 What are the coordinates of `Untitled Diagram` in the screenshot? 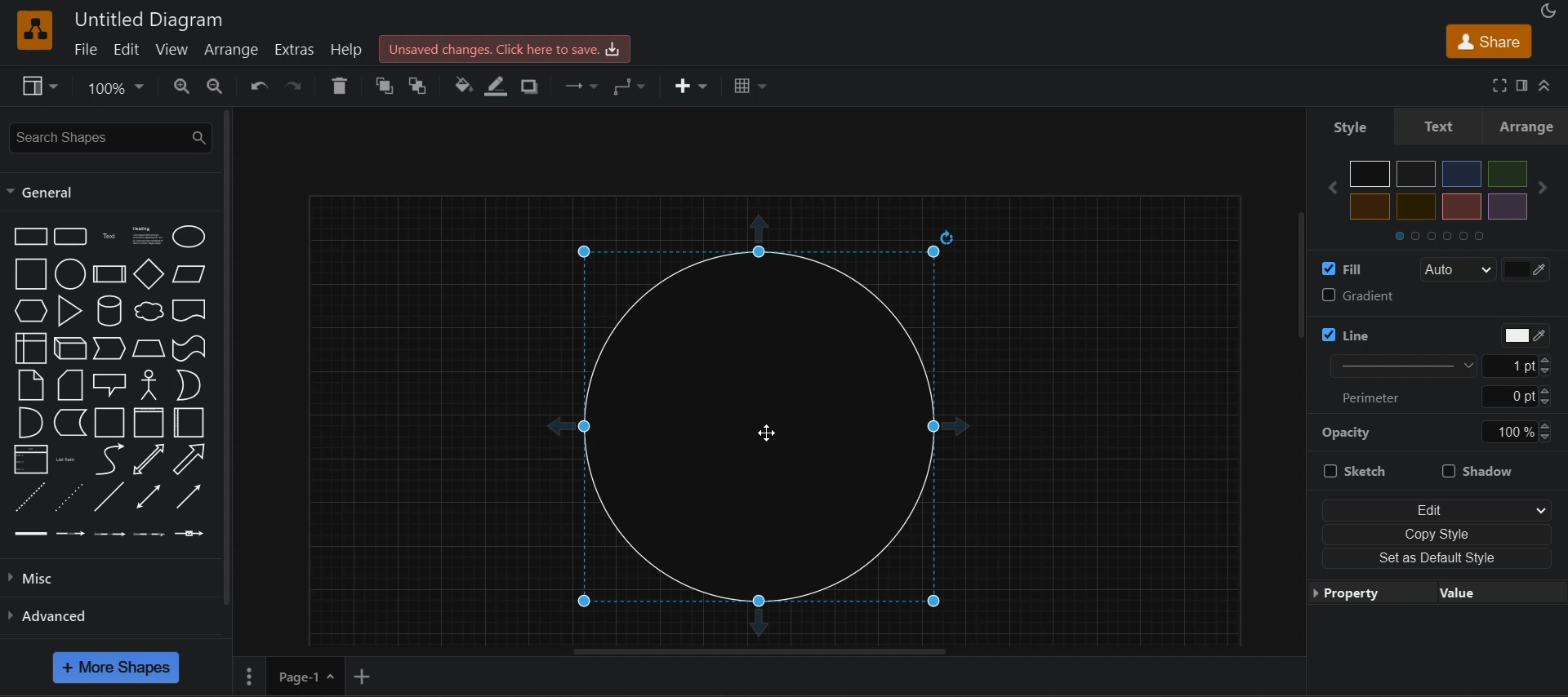 It's located at (150, 18).